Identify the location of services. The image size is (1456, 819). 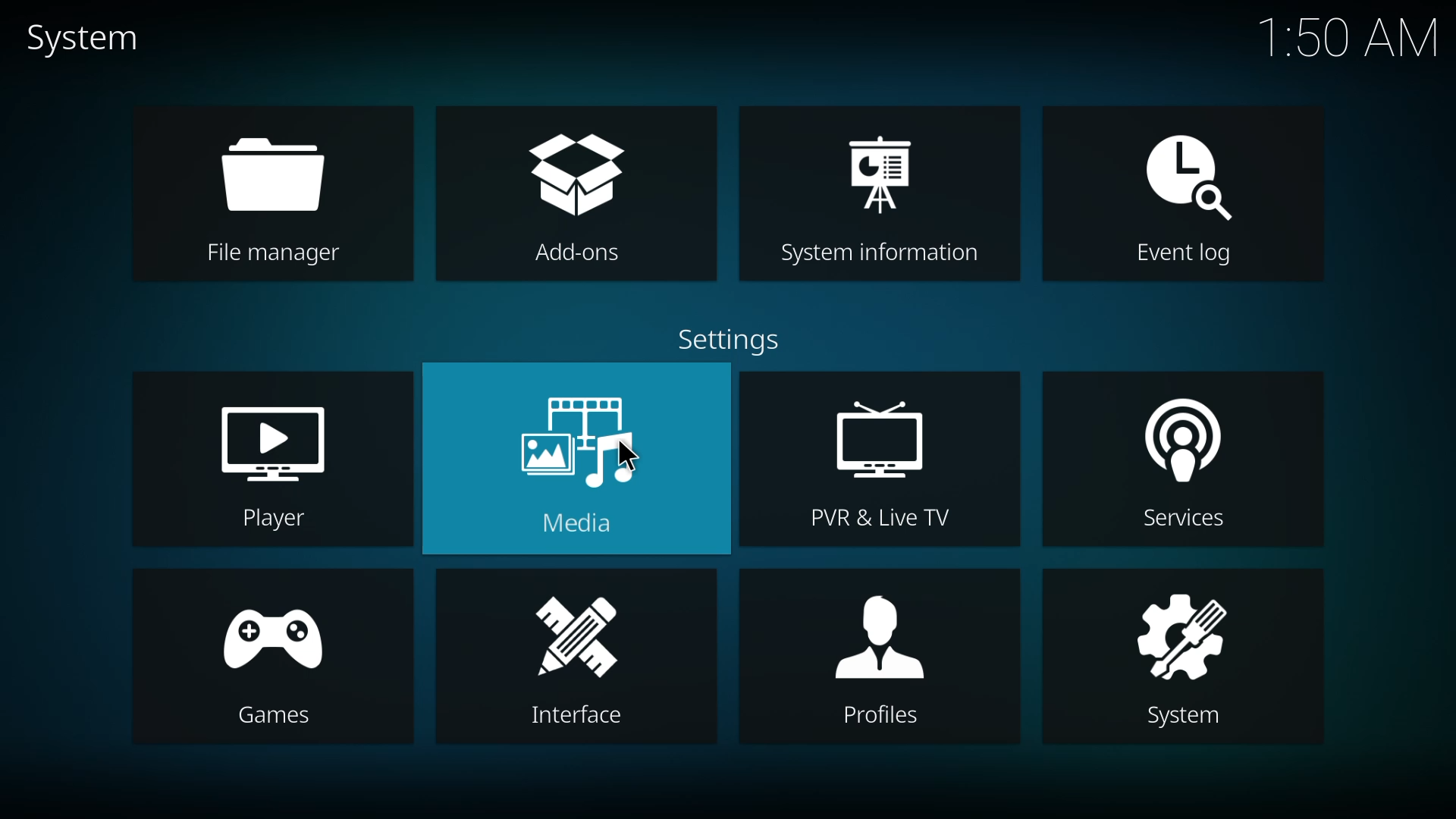
(1177, 460).